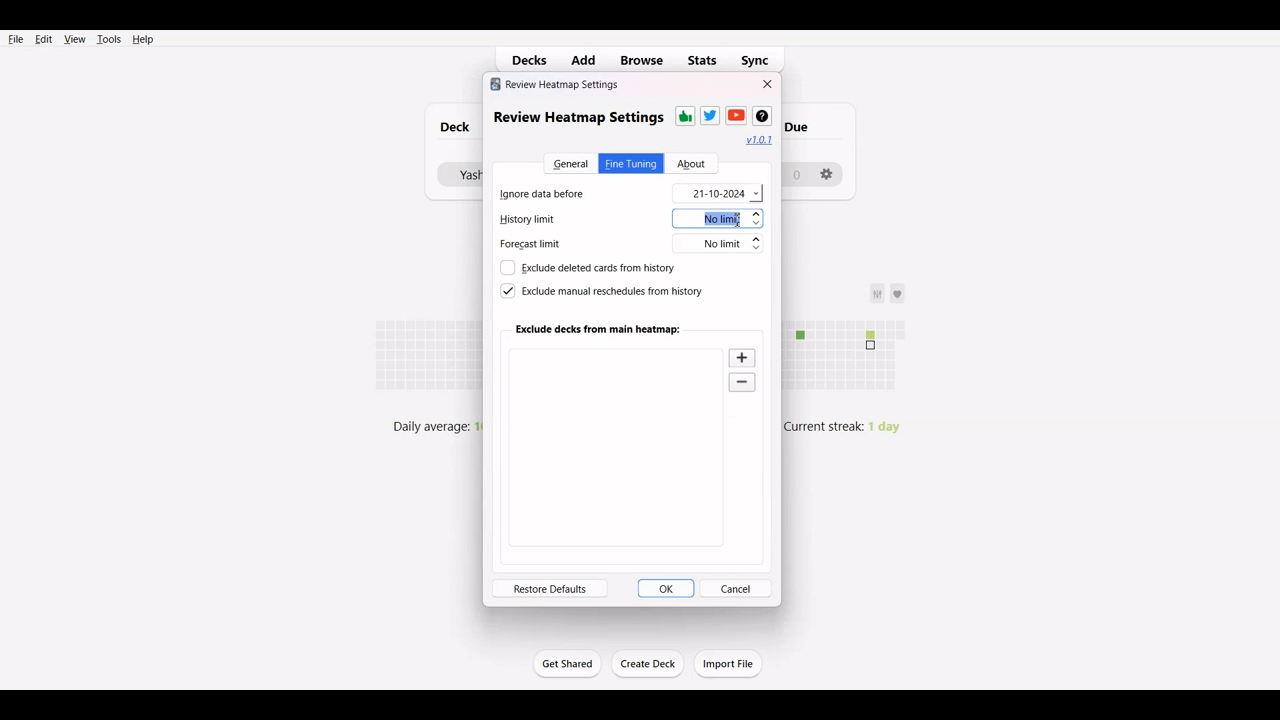  Describe the element at coordinates (550, 588) in the screenshot. I see `Restore defaults` at that location.